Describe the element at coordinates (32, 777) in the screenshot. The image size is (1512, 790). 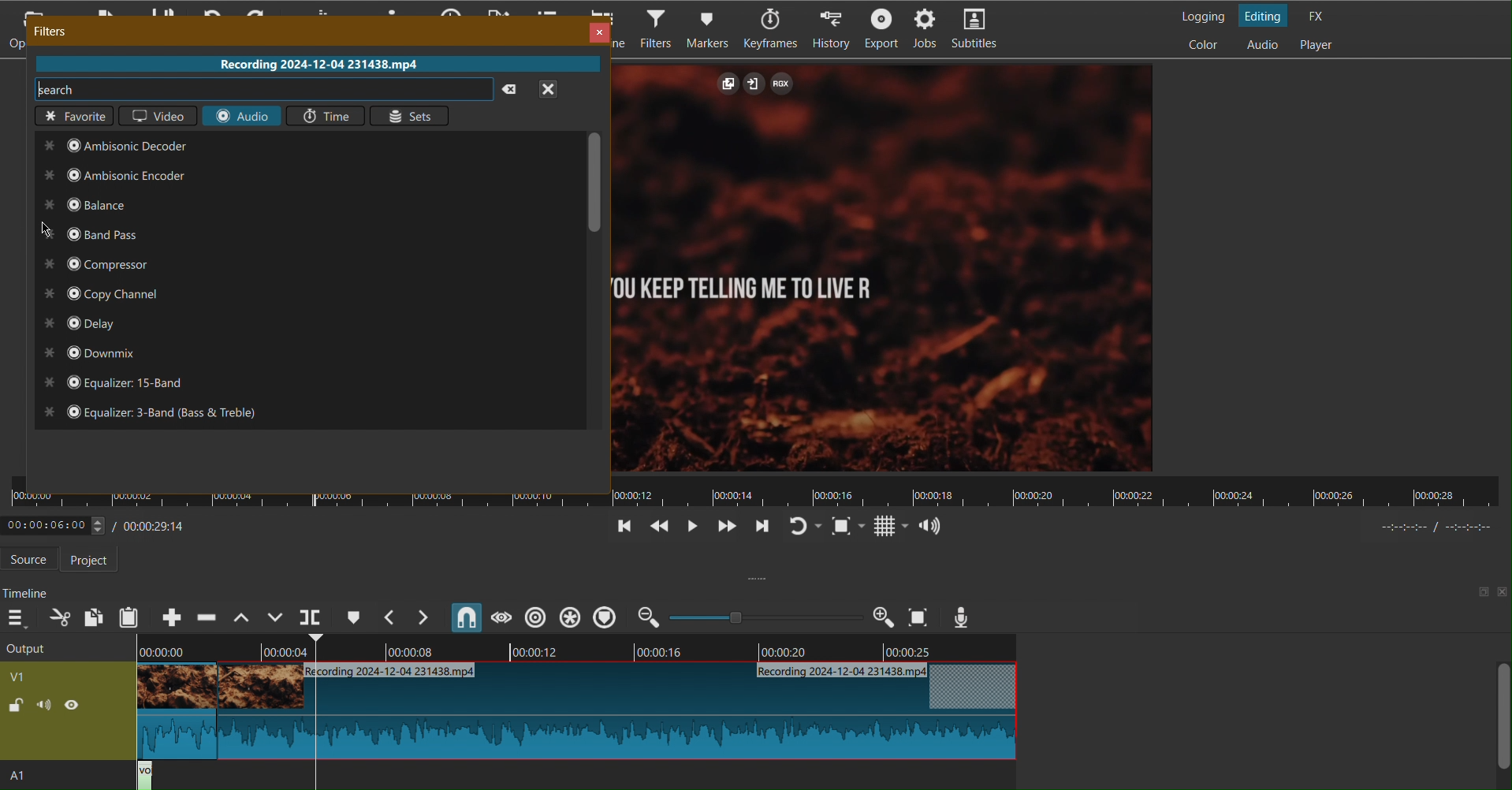
I see `A1` at that location.